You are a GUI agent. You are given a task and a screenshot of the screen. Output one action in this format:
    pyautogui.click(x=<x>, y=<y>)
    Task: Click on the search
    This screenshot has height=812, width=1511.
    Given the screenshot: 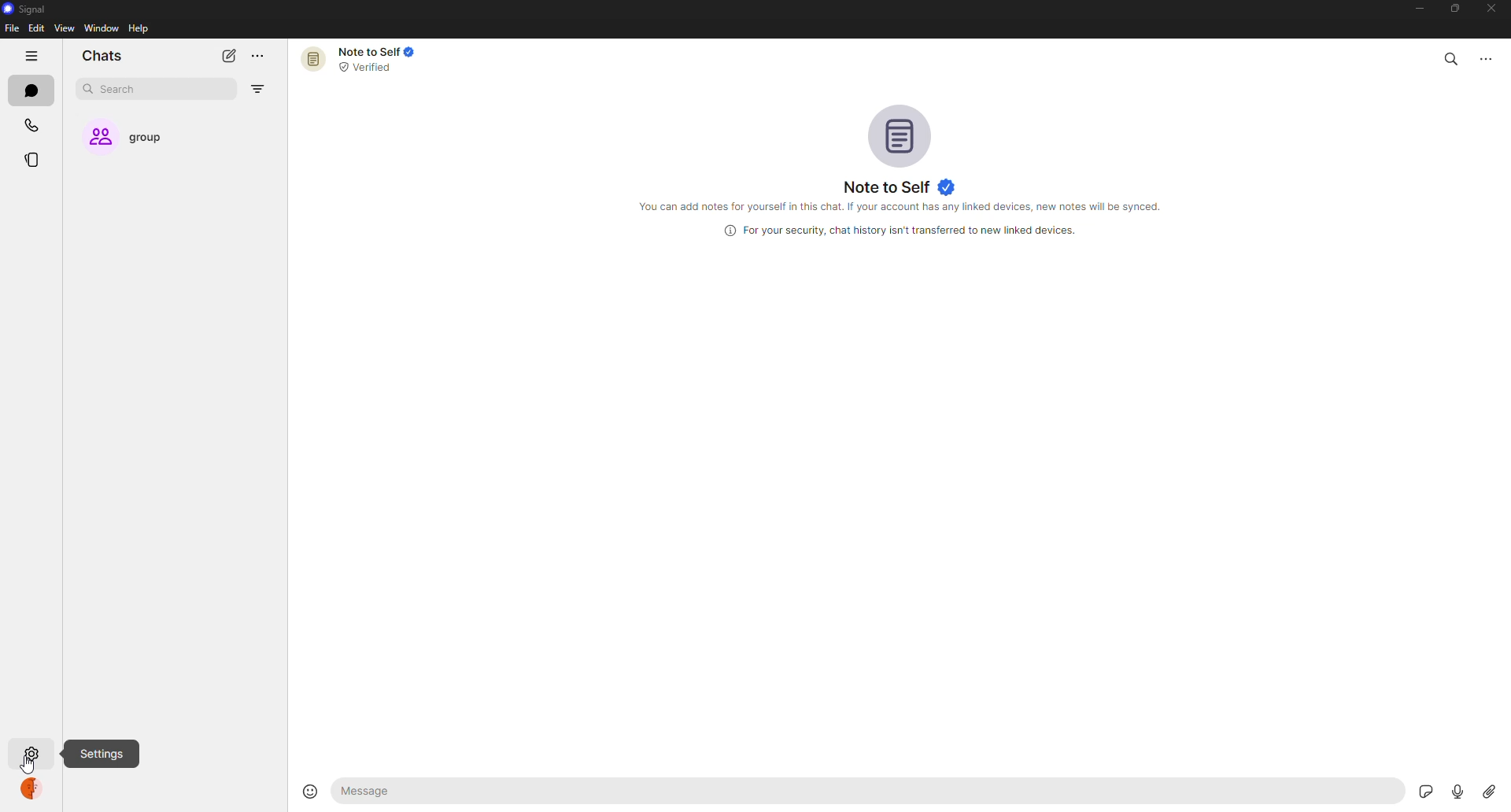 What is the action you would take?
    pyautogui.click(x=1451, y=56)
    